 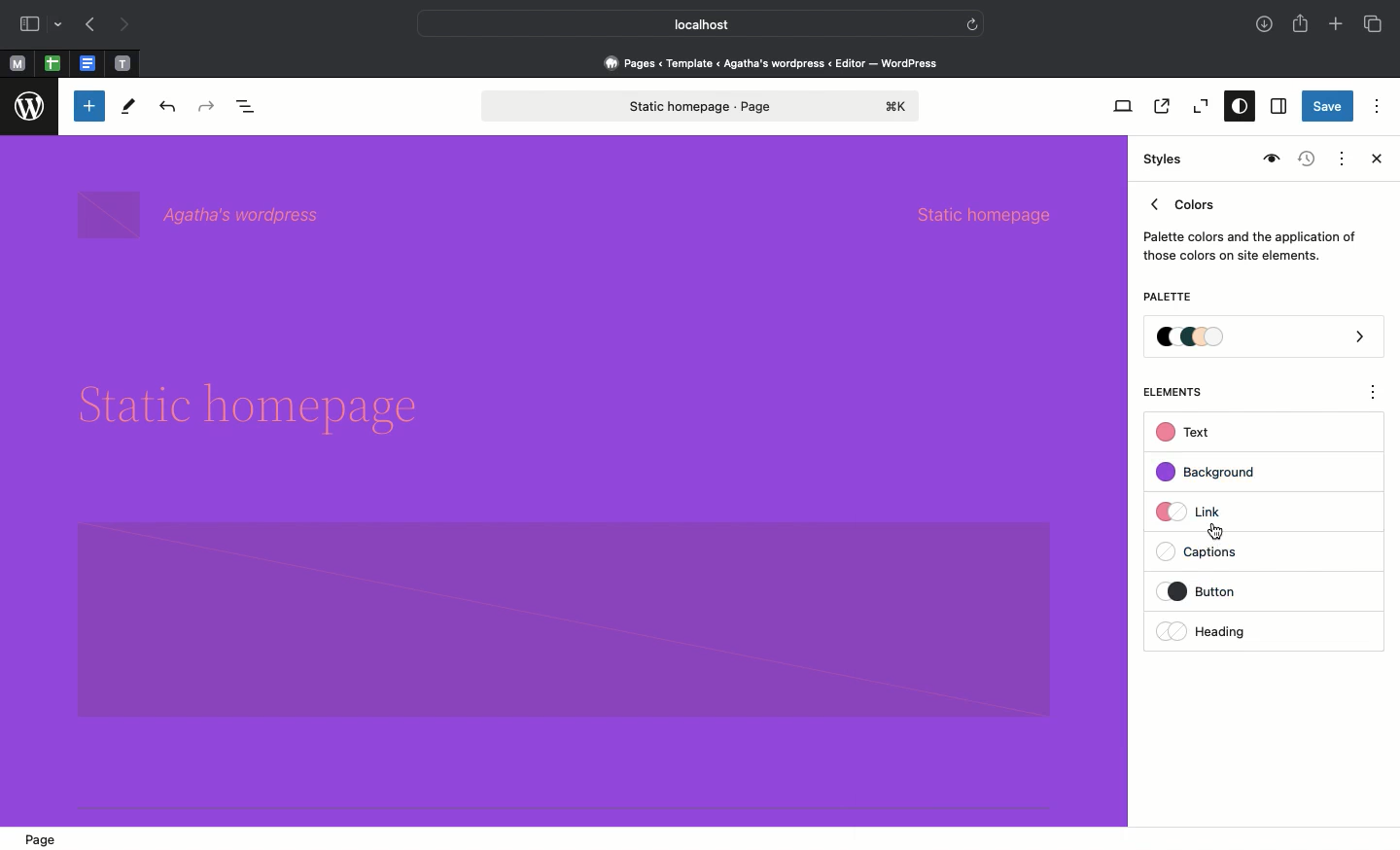 I want to click on Sidebar, so click(x=29, y=24).